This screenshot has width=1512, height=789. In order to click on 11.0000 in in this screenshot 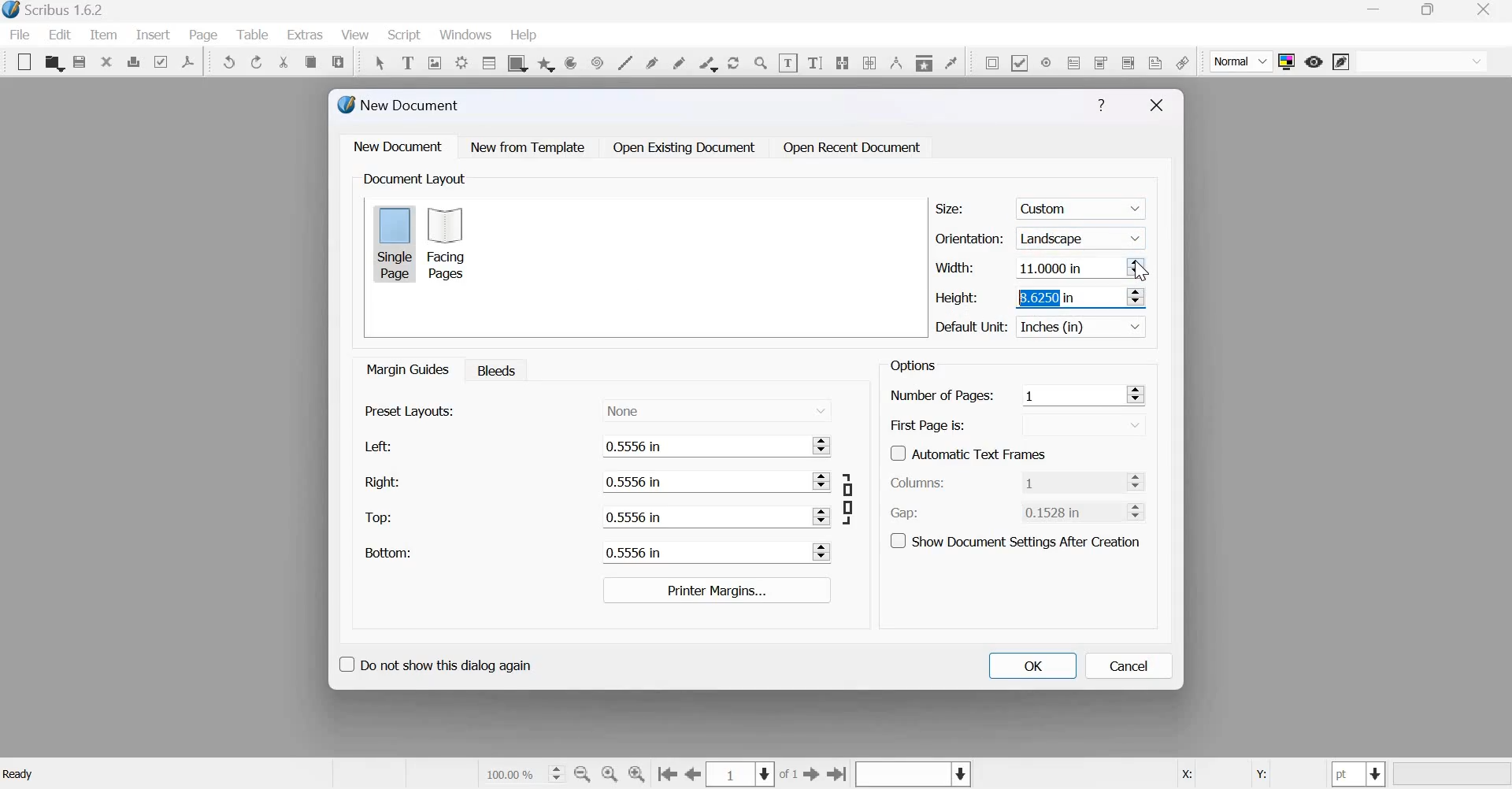, I will do `click(1065, 267)`.